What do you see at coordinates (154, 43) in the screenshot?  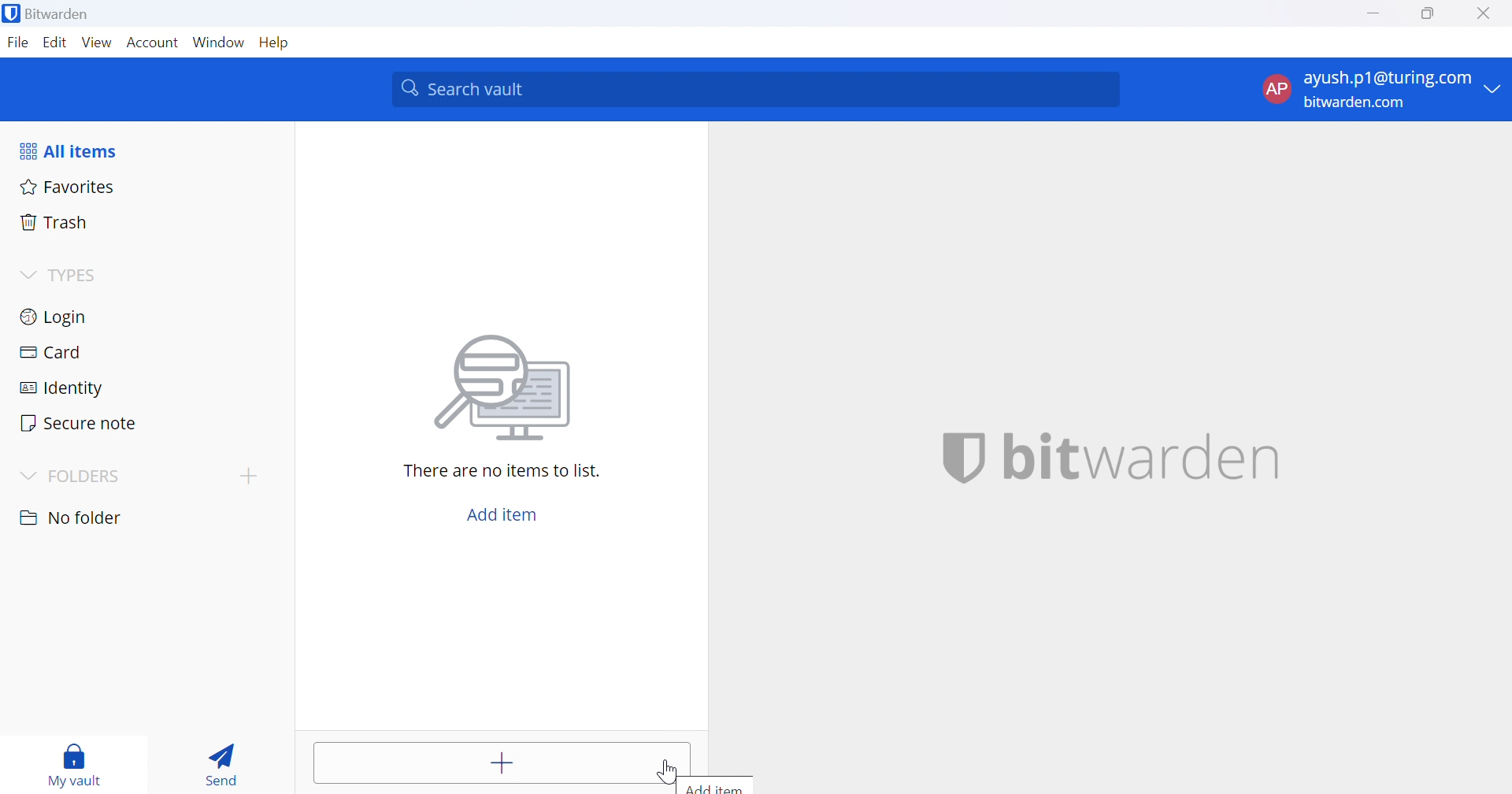 I see `Account` at bounding box center [154, 43].